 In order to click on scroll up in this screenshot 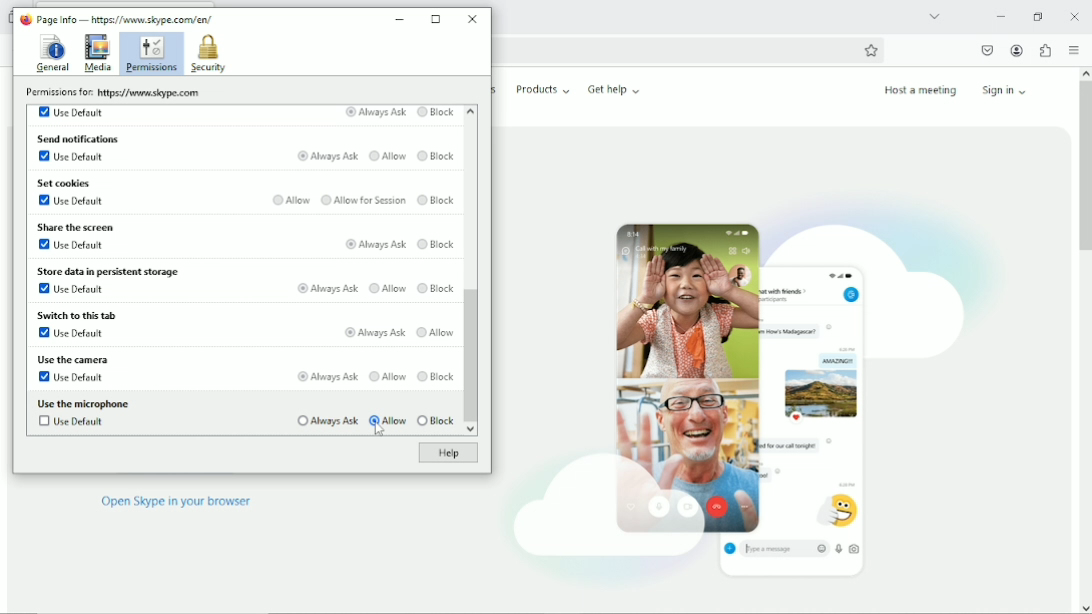, I will do `click(1084, 71)`.